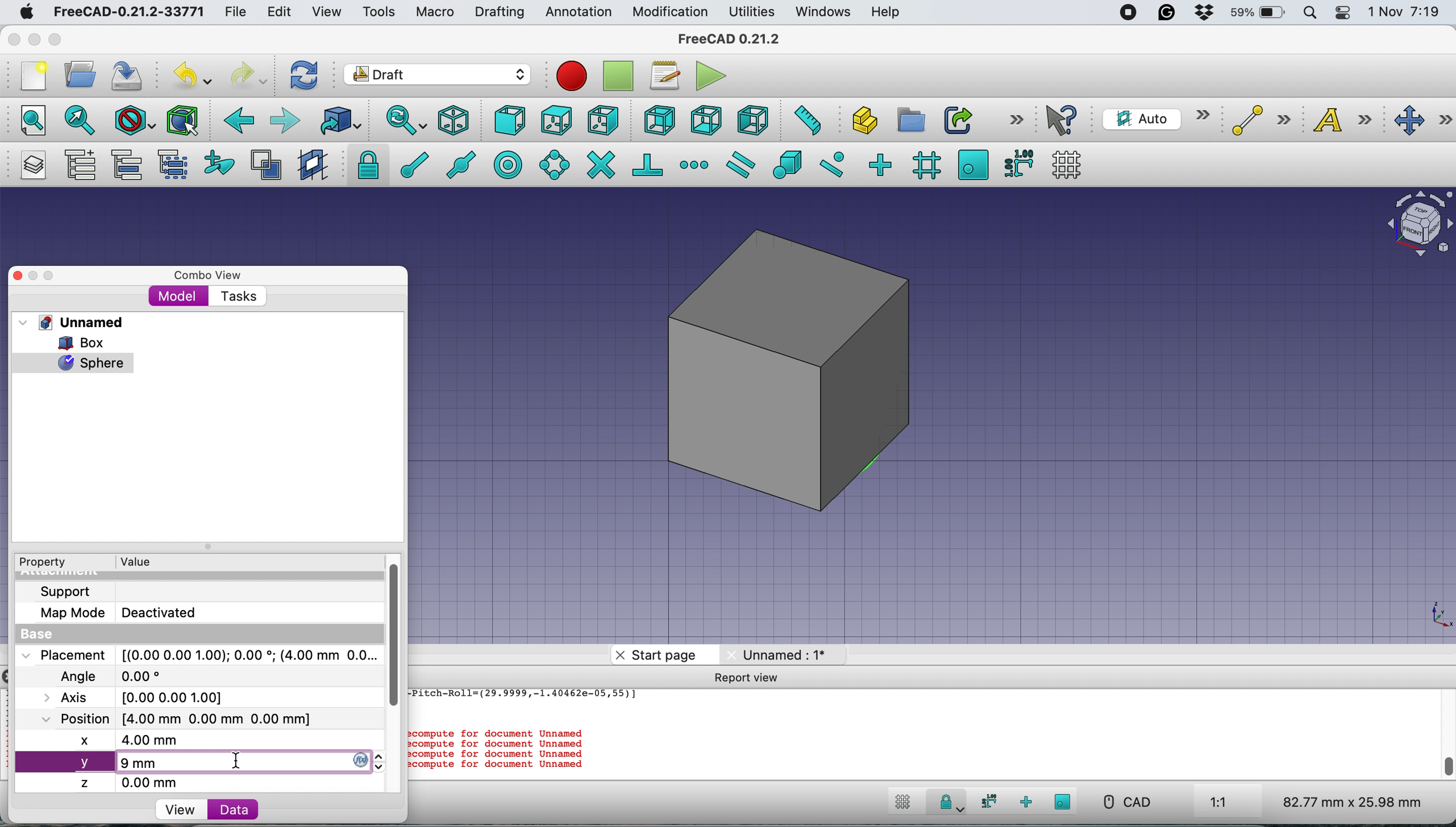 The height and width of the screenshot is (827, 1456). I want to click on new x axis value, so click(139, 742).